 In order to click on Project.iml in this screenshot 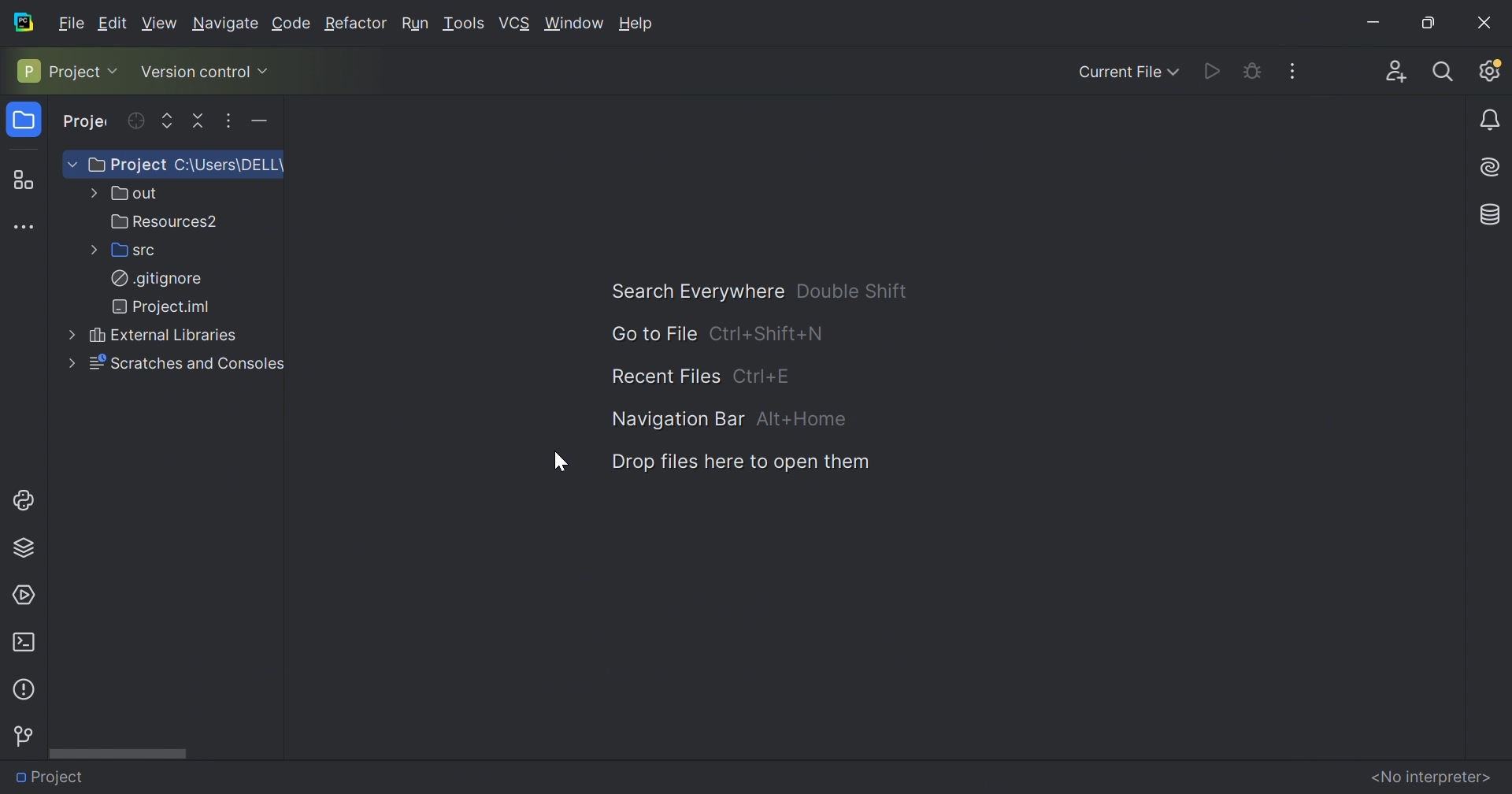, I will do `click(161, 306)`.